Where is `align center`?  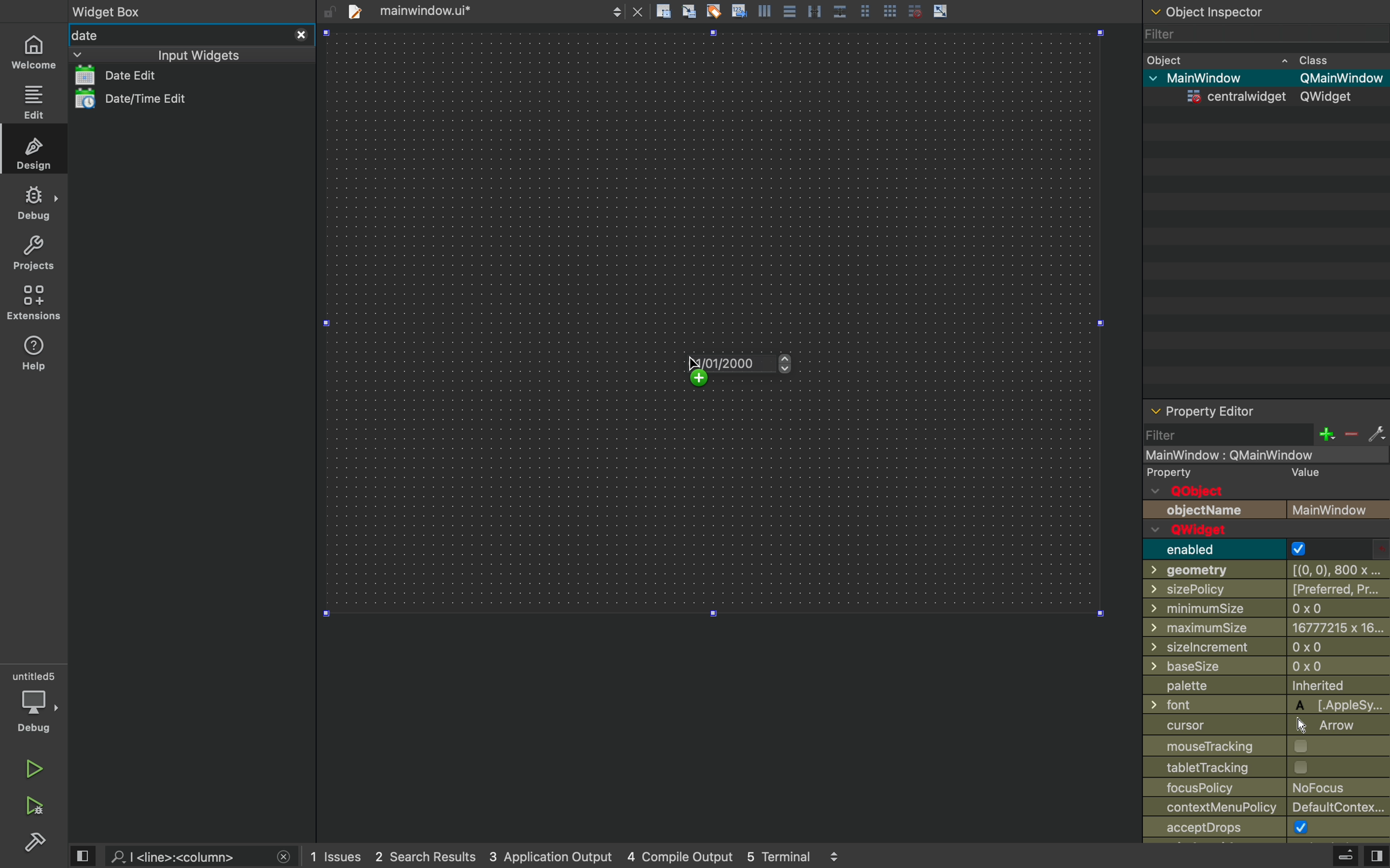 align center is located at coordinates (789, 10).